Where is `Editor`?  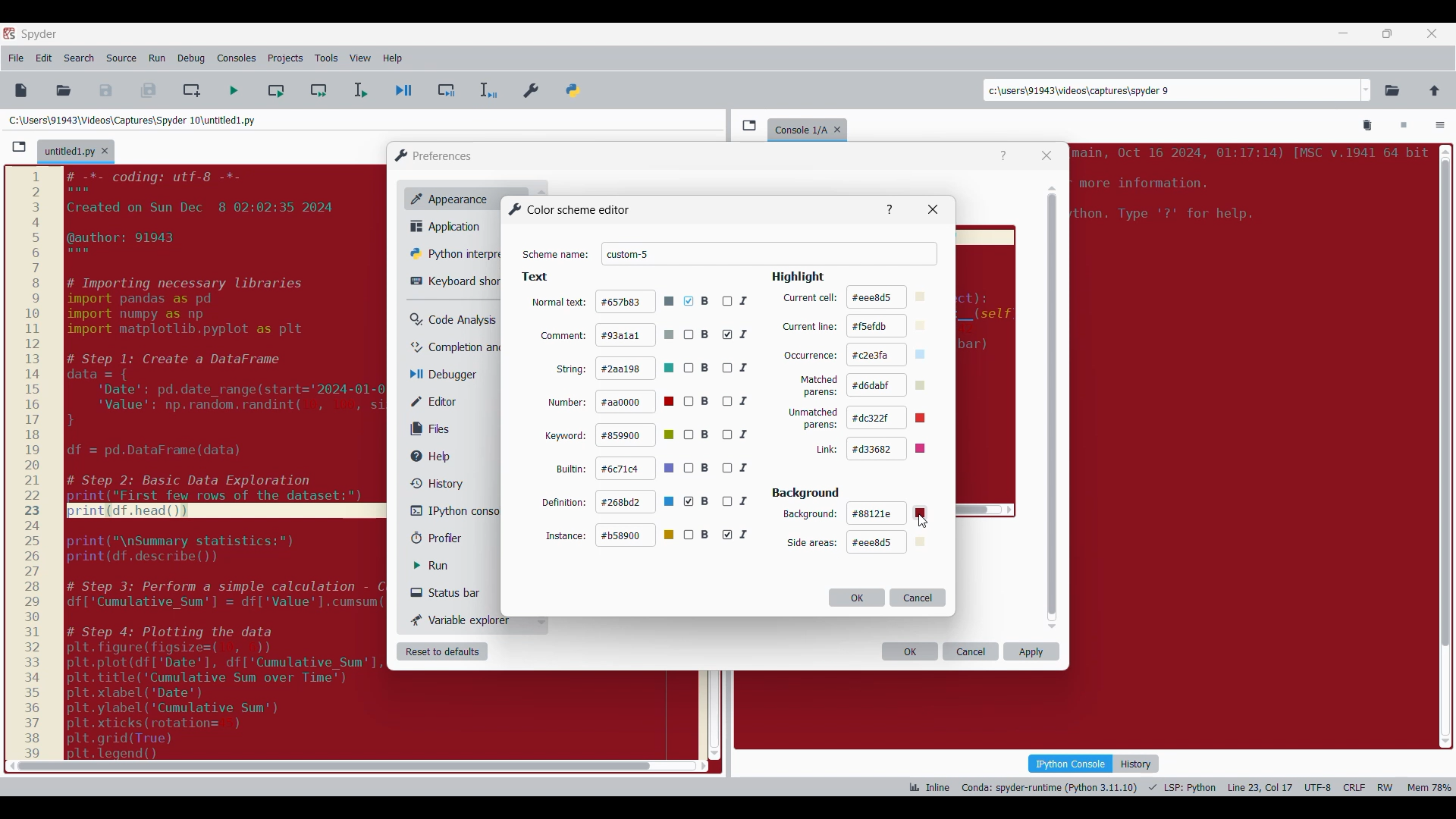 Editor is located at coordinates (444, 401).